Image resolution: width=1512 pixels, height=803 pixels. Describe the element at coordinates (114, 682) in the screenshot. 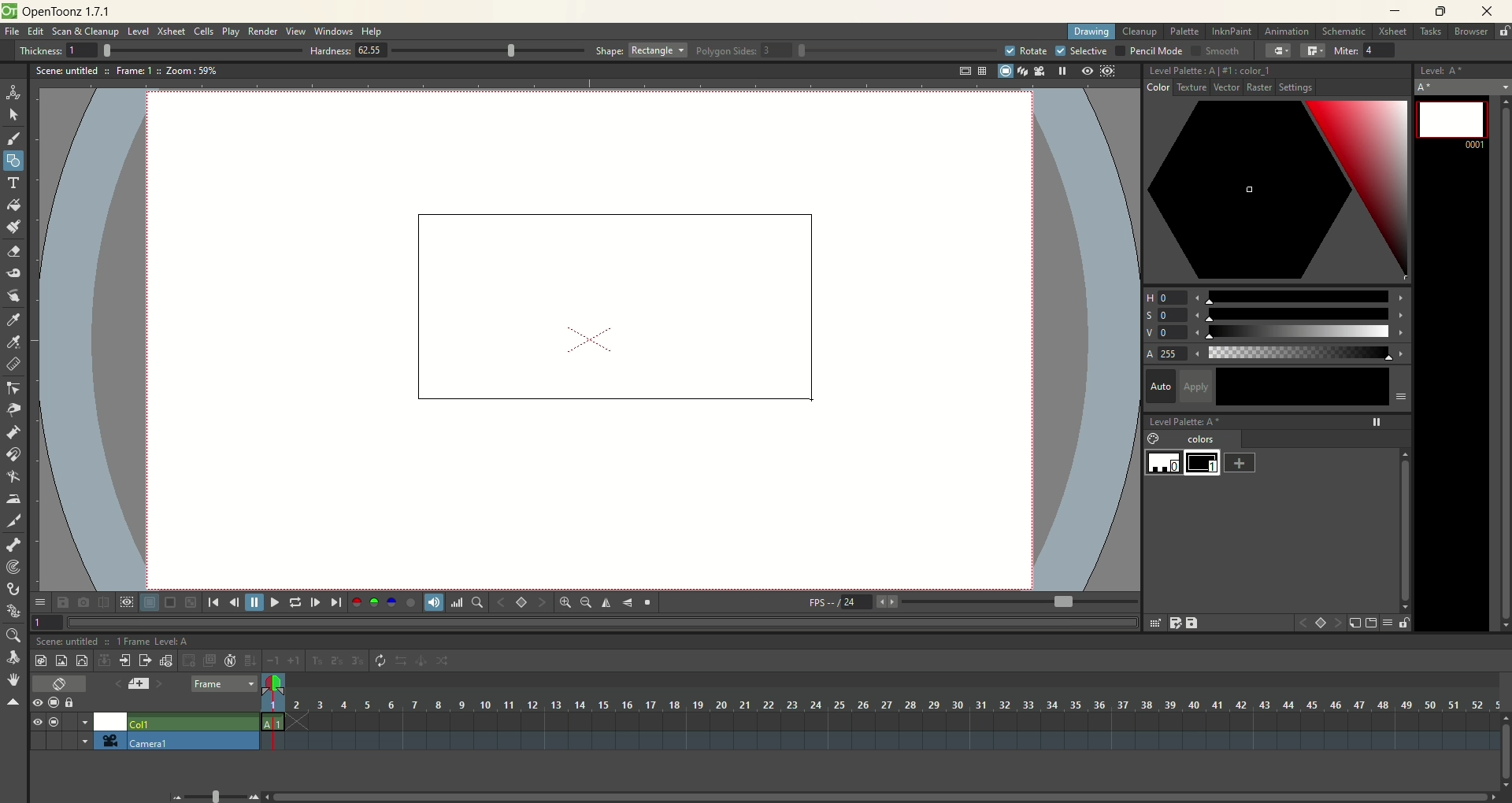

I see `previous memo` at that location.